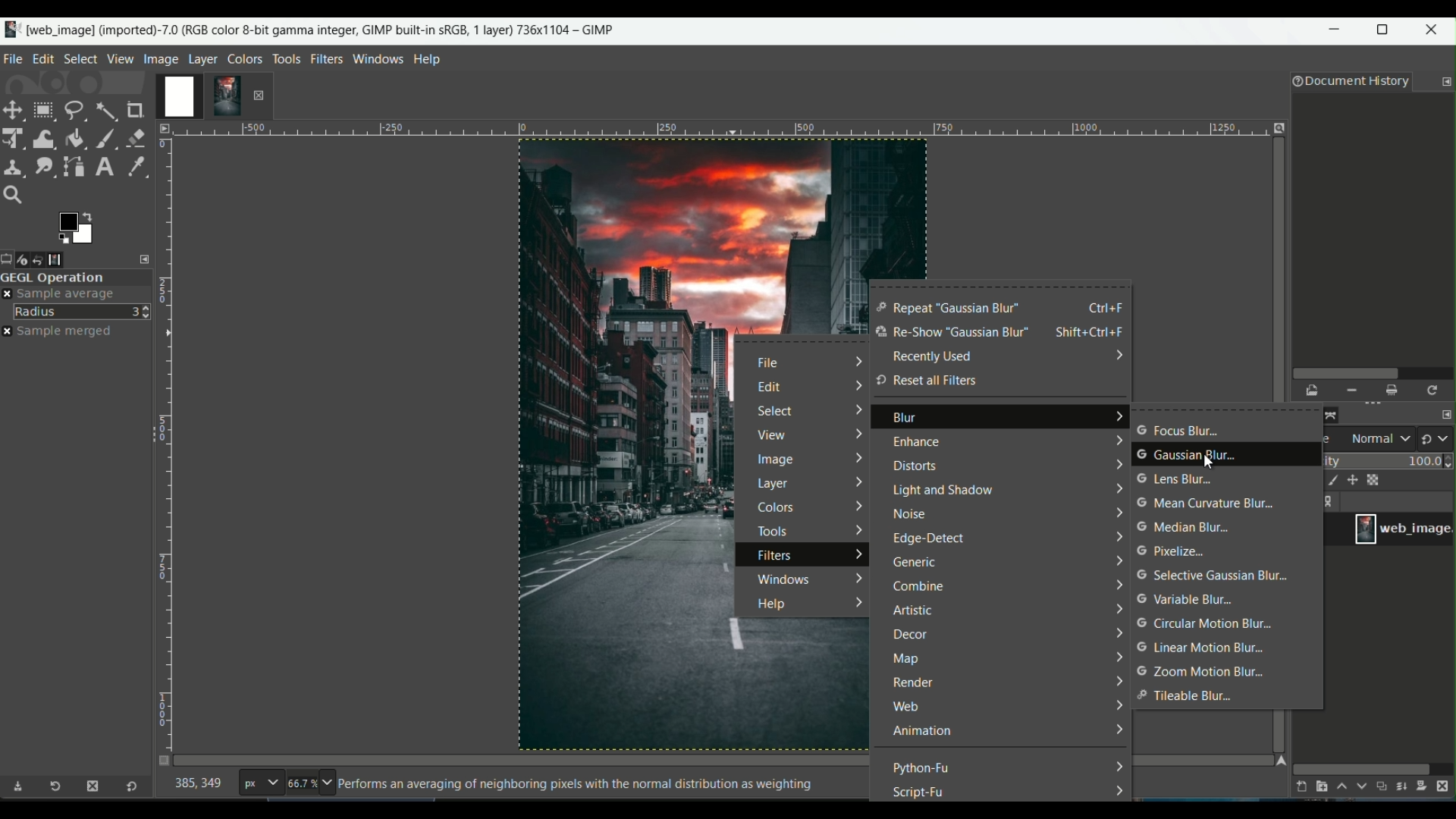 This screenshot has height=819, width=1456. I want to click on document history, so click(1348, 83).